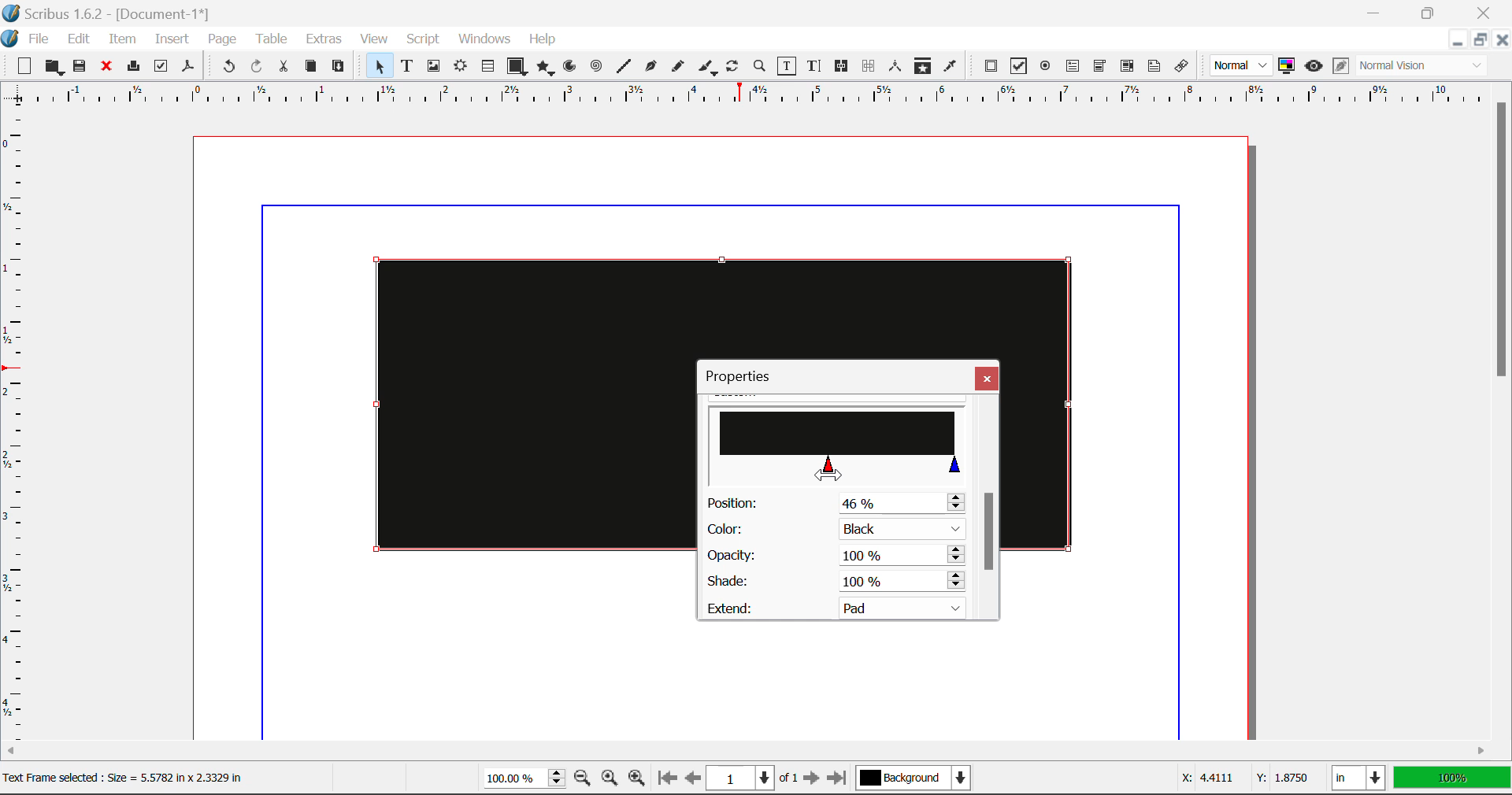 Image resolution: width=1512 pixels, height=795 pixels. What do you see at coordinates (1017, 66) in the screenshot?
I see `PDF Checkbox` at bounding box center [1017, 66].